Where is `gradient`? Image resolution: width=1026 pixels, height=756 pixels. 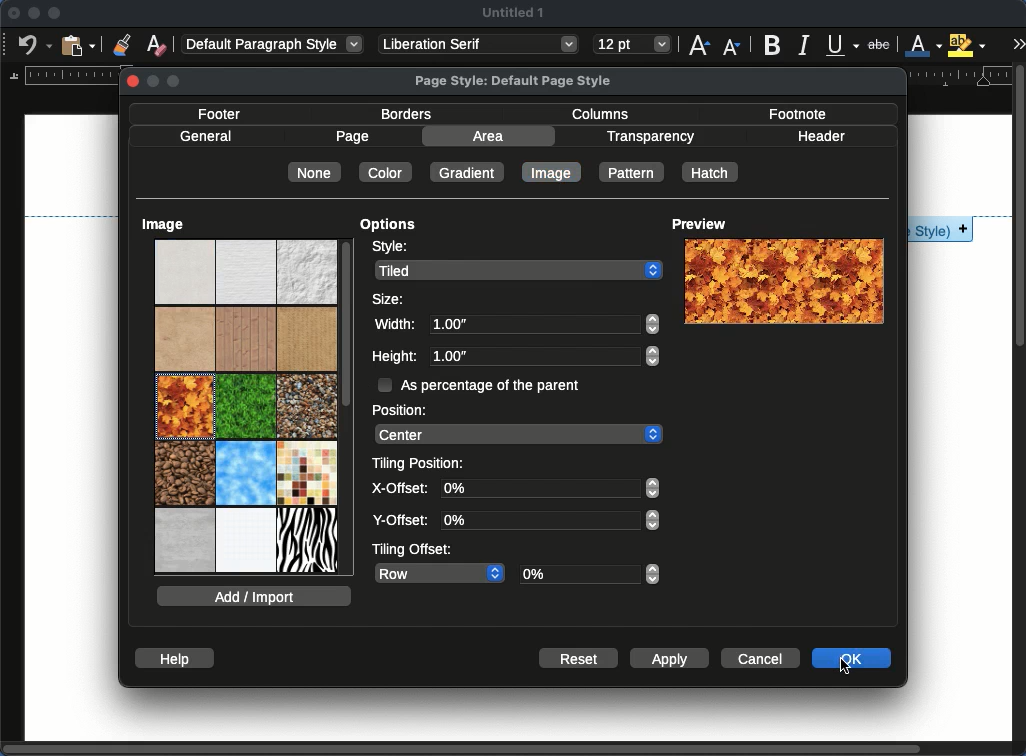 gradient is located at coordinates (465, 171).